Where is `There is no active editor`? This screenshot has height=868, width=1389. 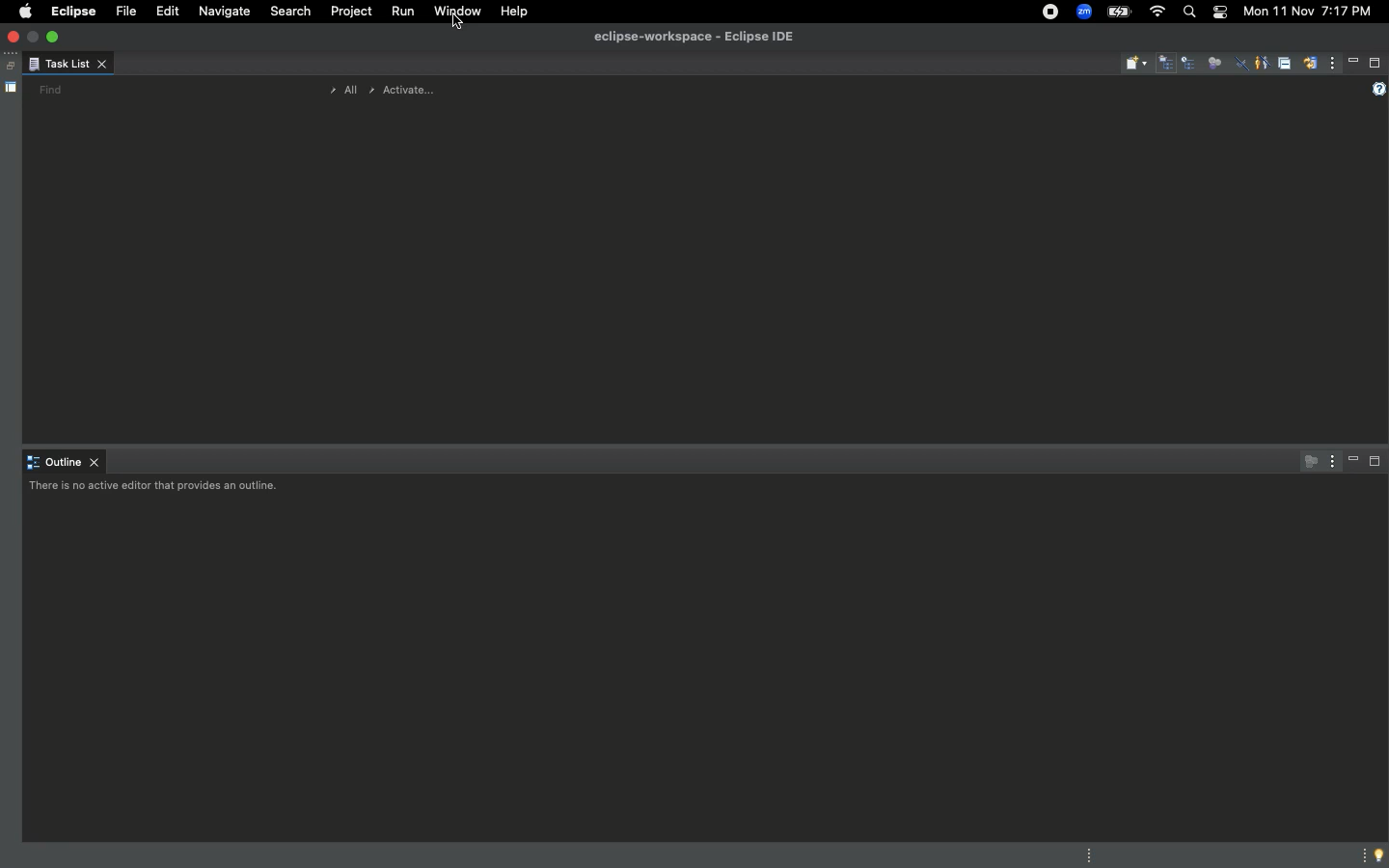 There is no active editor is located at coordinates (157, 489).